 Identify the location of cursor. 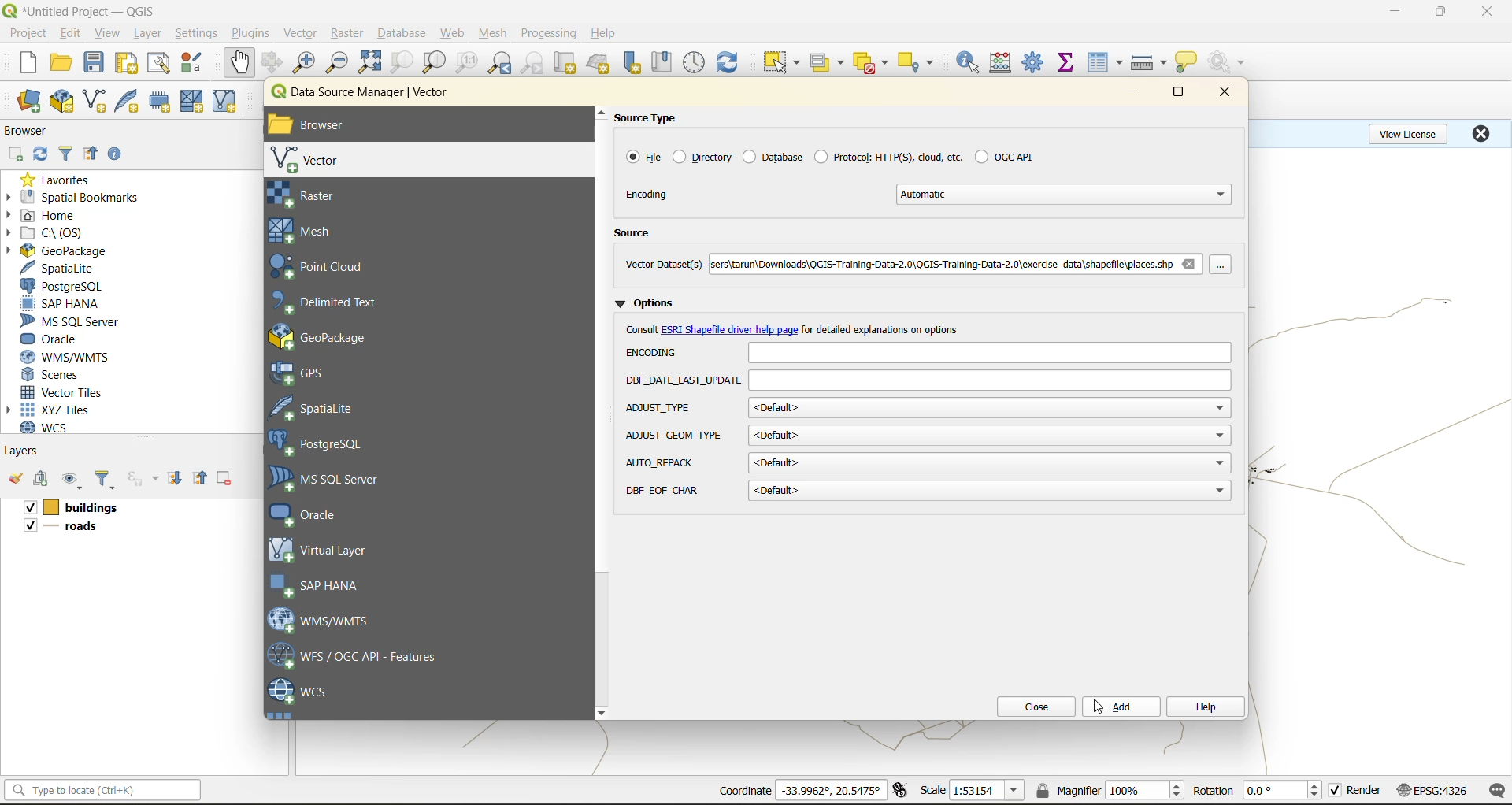
(1099, 707).